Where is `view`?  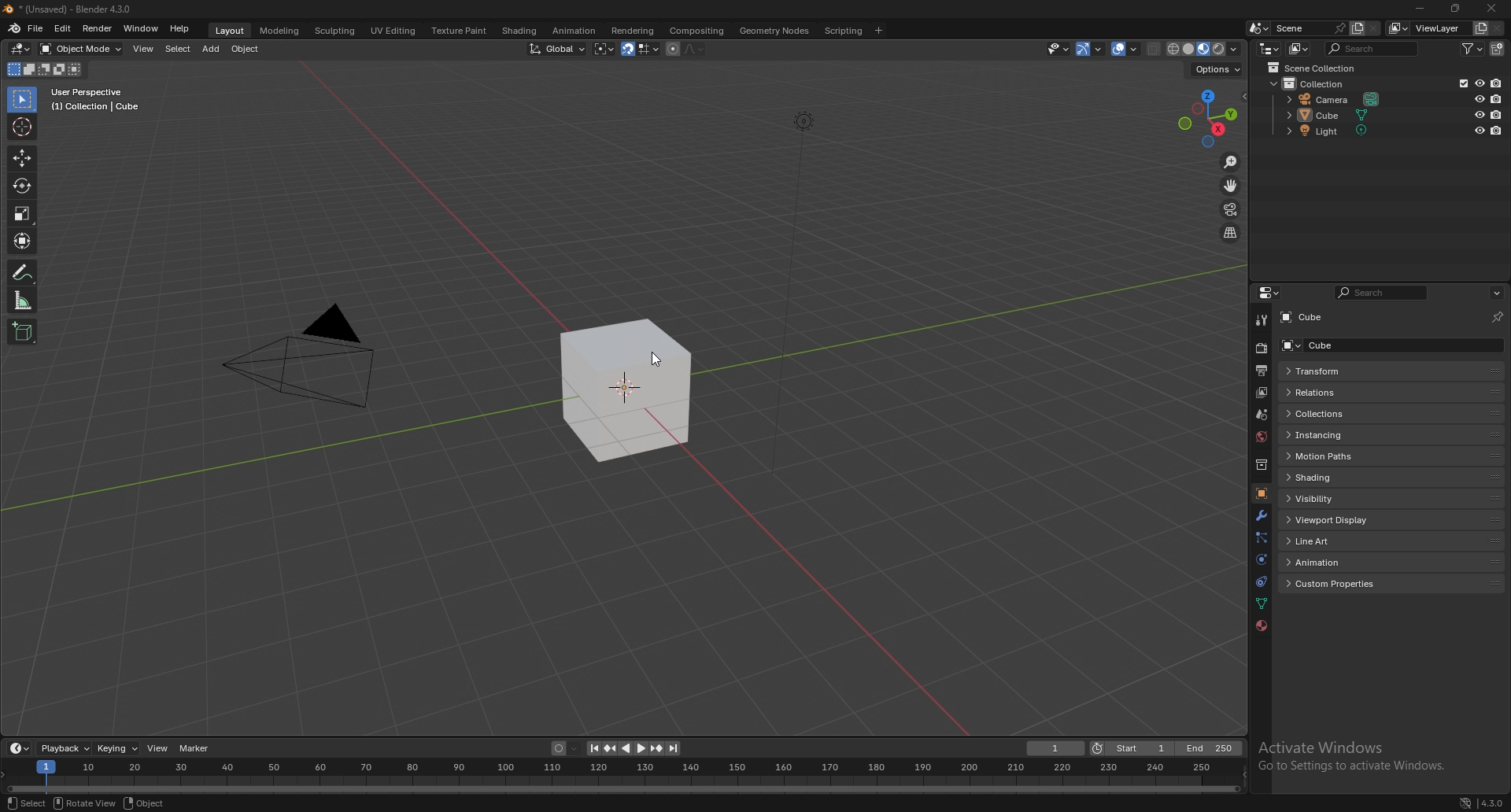 view is located at coordinates (145, 49).